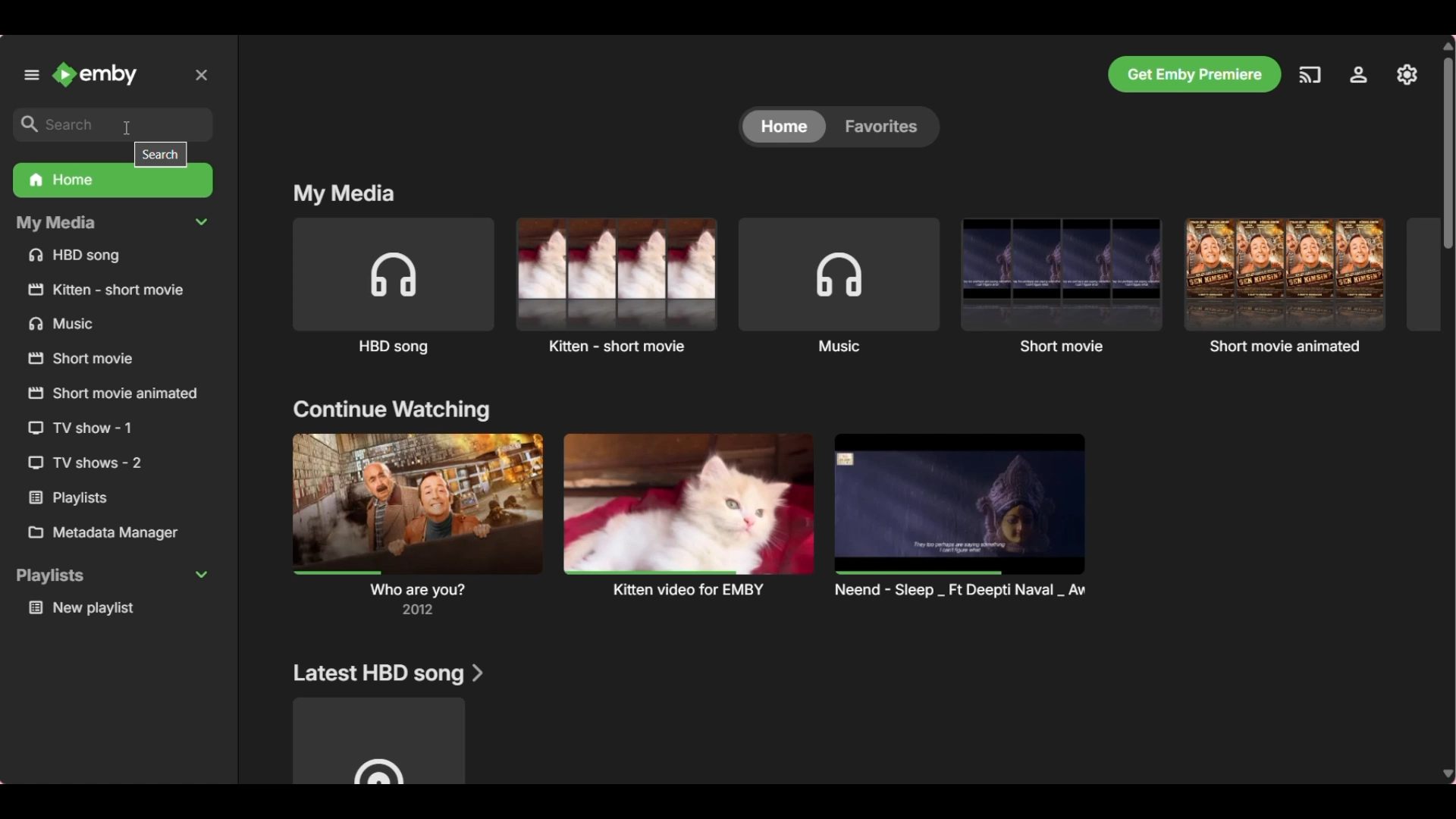 This screenshot has height=819, width=1456. What do you see at coordinates (115, 533) in the screenshot?
I see `Metadata manager` at bounding box center [115, 533].